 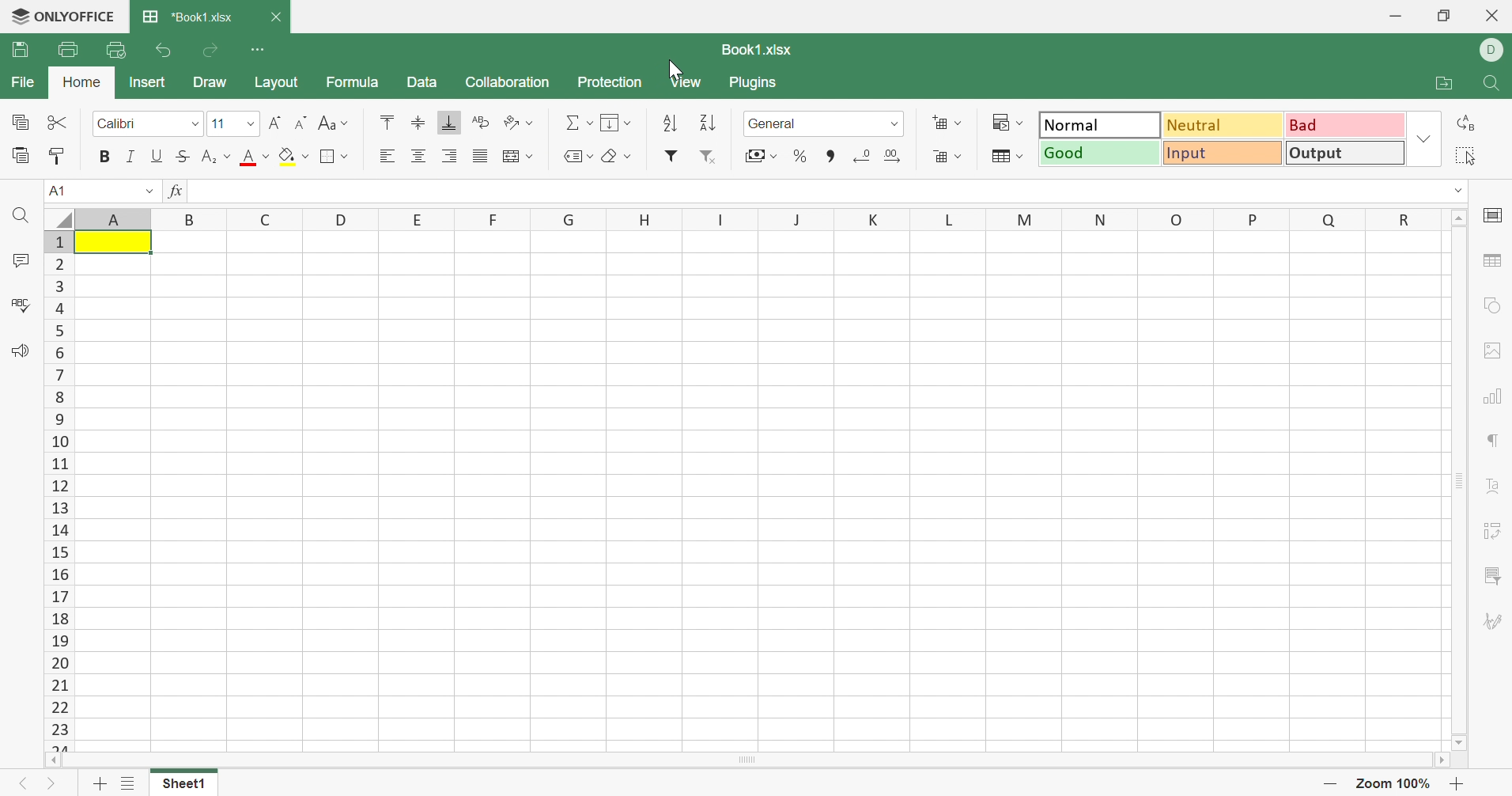 What do you see at coordinates (100, 192) in the screenshot?
I see `A1` at bounding box center [100, 192].